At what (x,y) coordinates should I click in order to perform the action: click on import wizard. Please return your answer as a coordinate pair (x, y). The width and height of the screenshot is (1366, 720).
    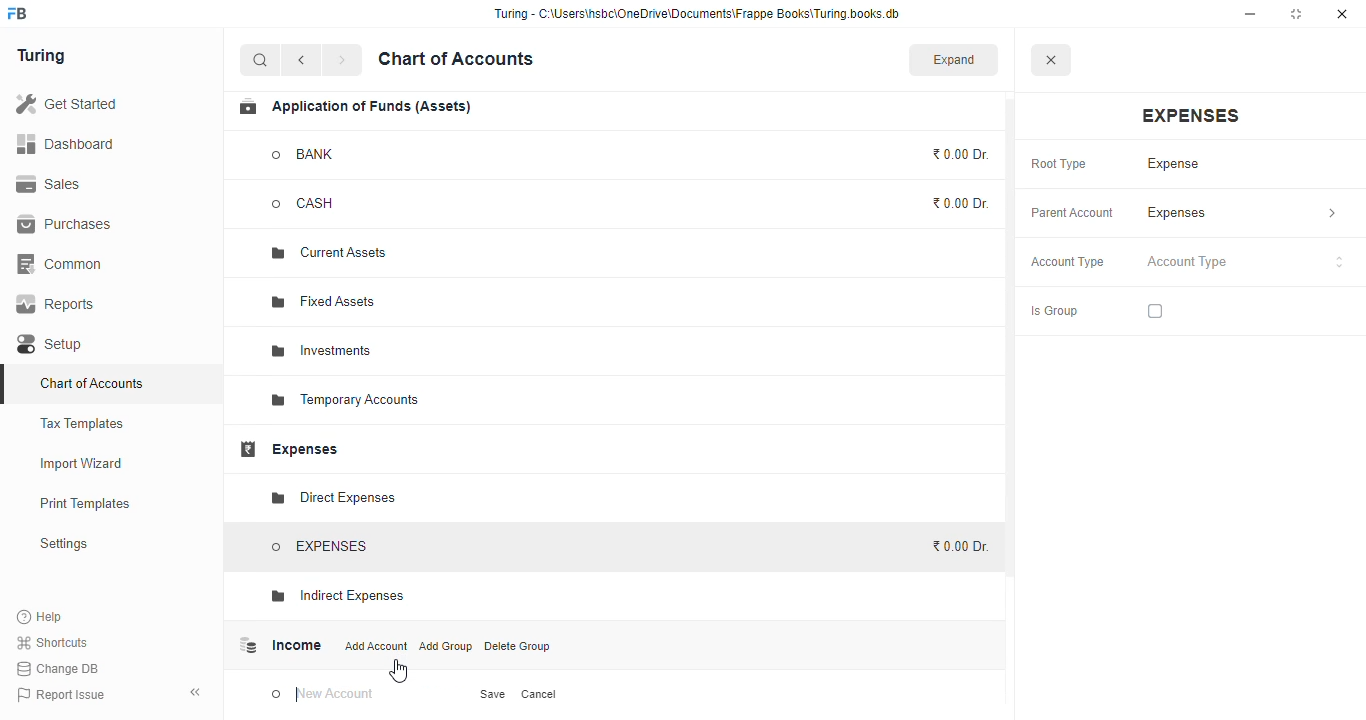
    Looking at the image, I should click on (82, 464).